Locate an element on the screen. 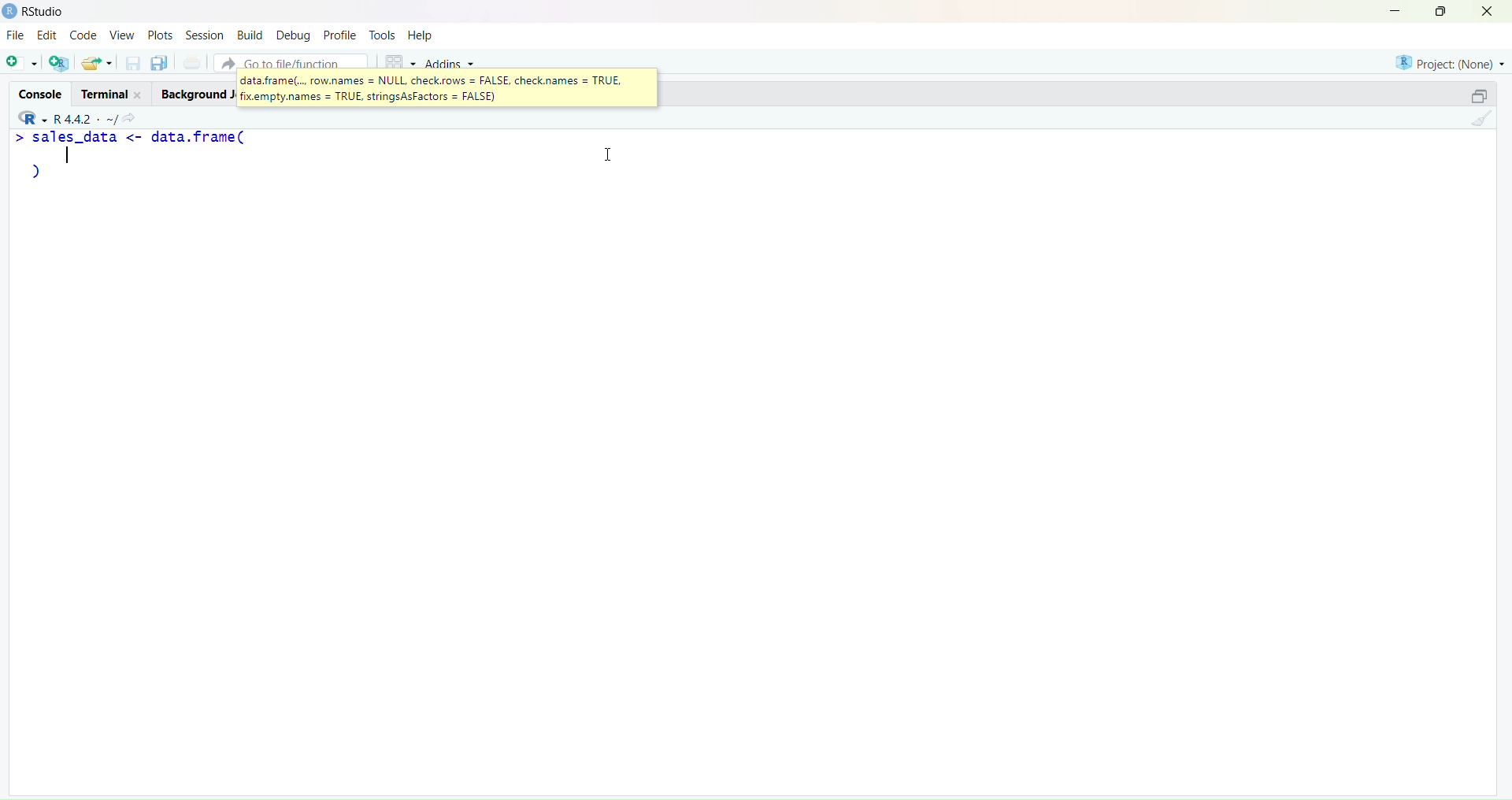  cursor is located at coordinates (612, 158).